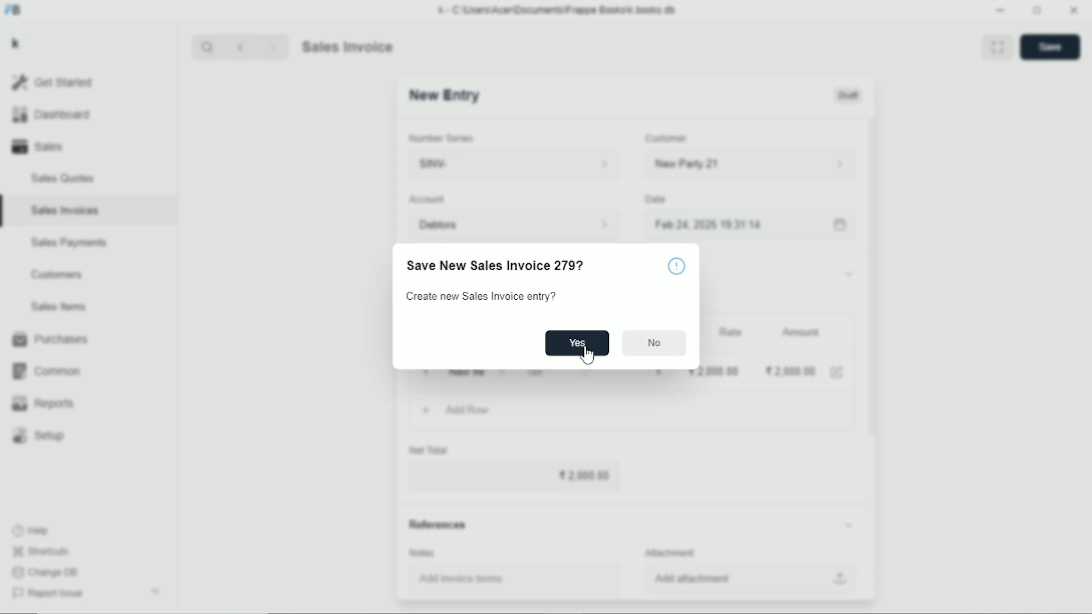 The height and width of the screenshot is (614, 1092). Describe the element at coordinates (752, 164) in the screenshot. I see `New party 21` at that location.